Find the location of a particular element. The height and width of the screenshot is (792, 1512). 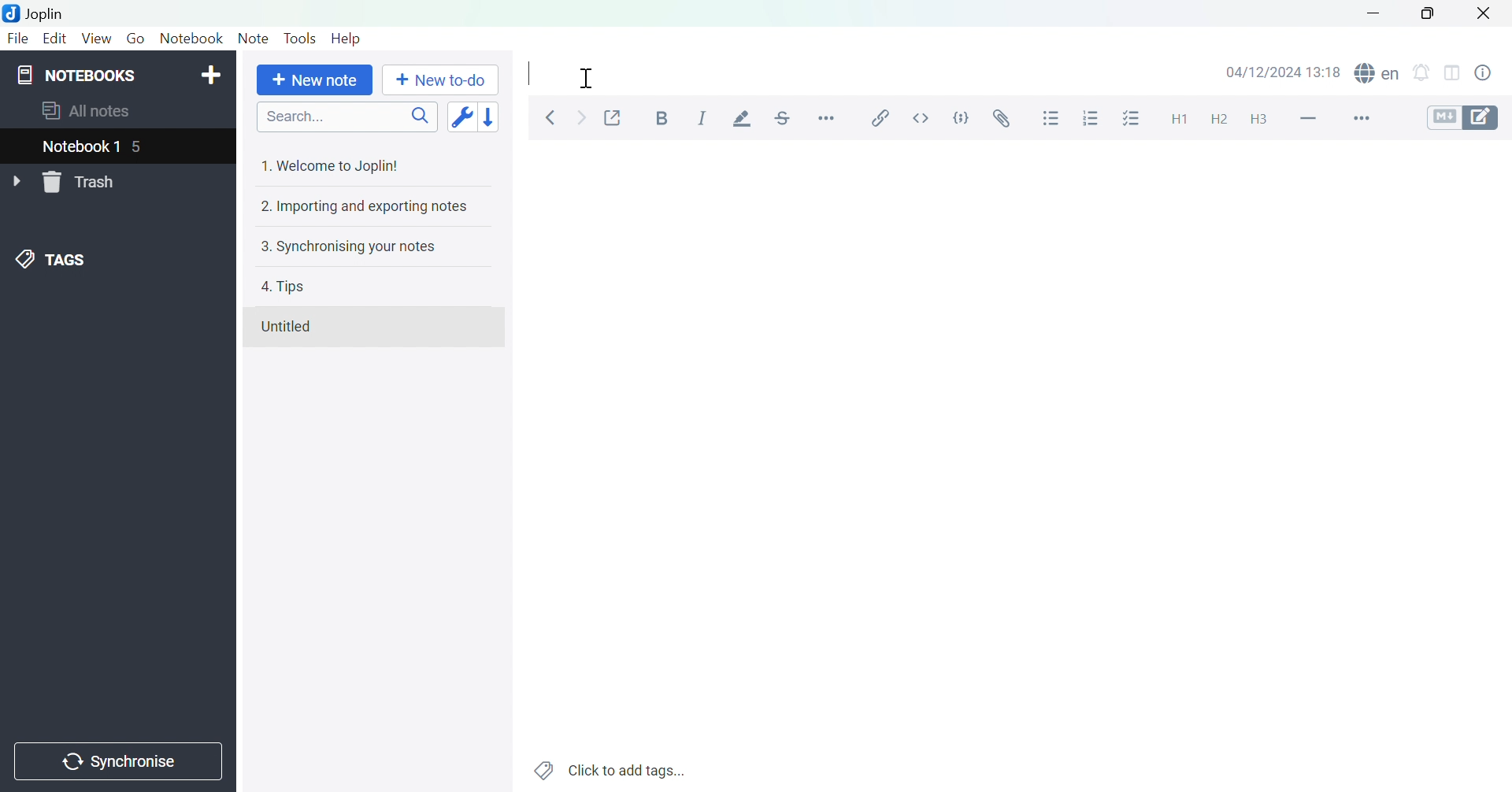

Toggle editor layout is located at coordinates (1452, 76).